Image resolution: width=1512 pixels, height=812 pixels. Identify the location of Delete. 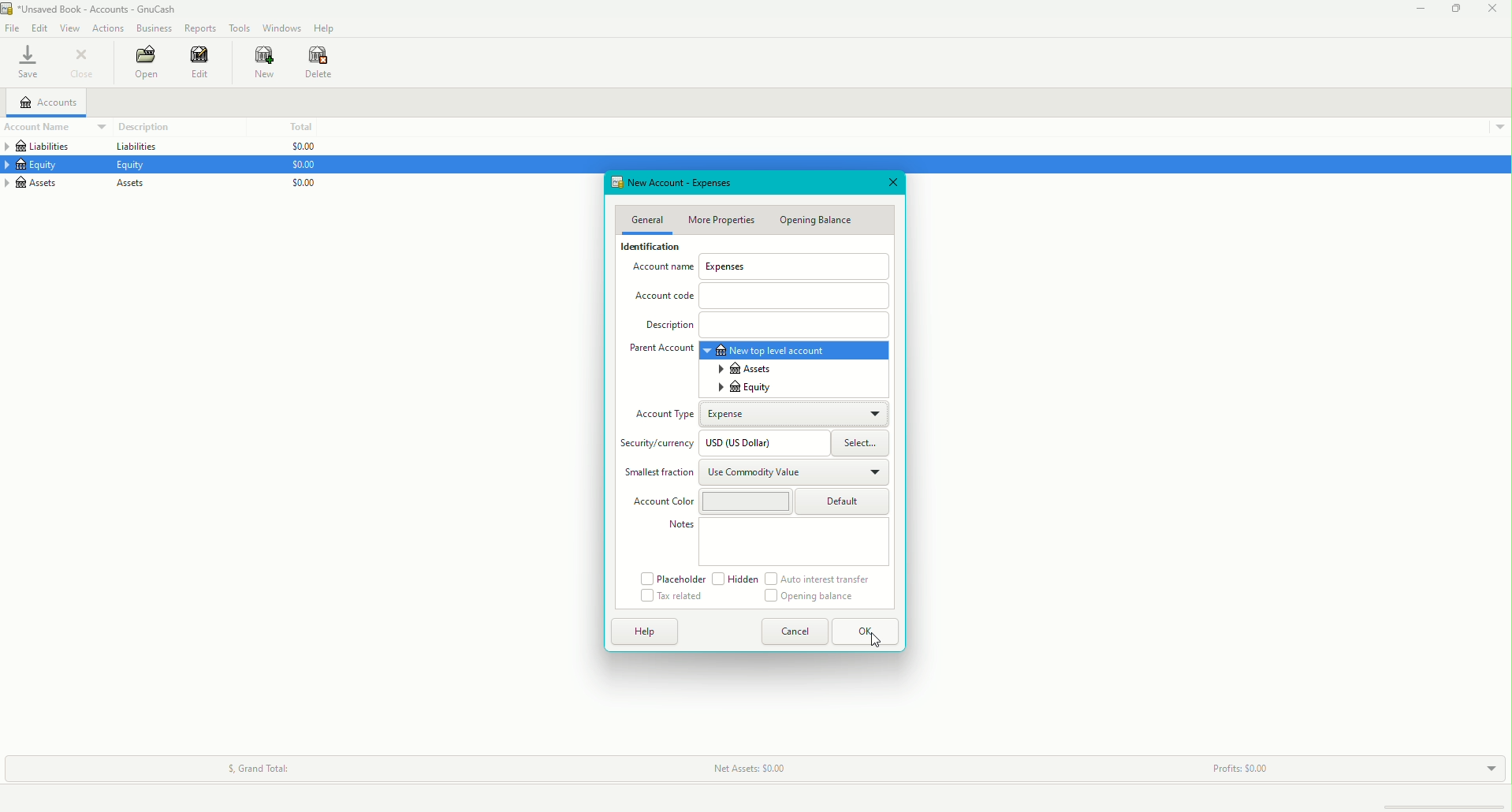
(322, 62).